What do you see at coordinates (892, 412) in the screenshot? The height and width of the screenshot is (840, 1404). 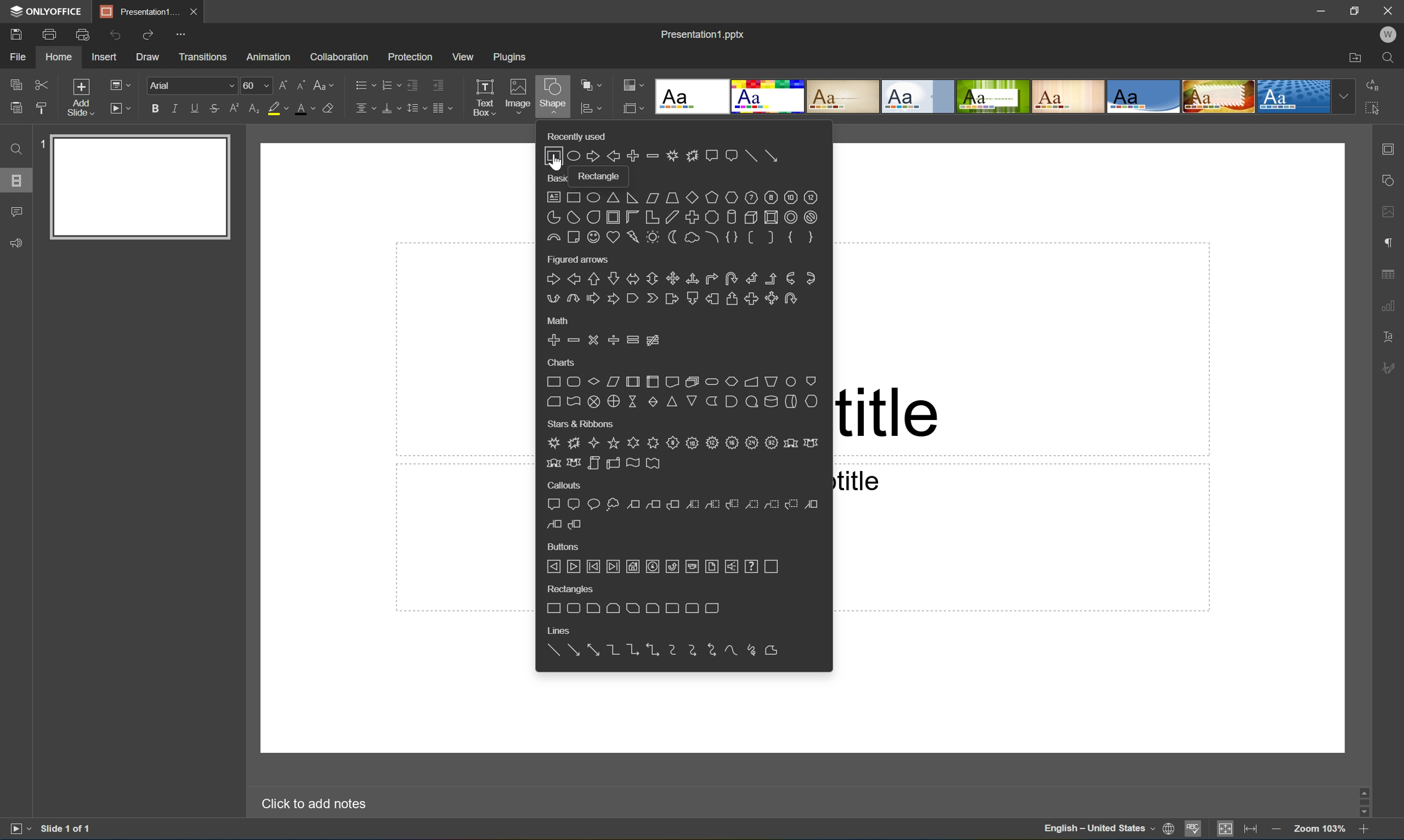 I see `title` at bounding box center [892, 412].